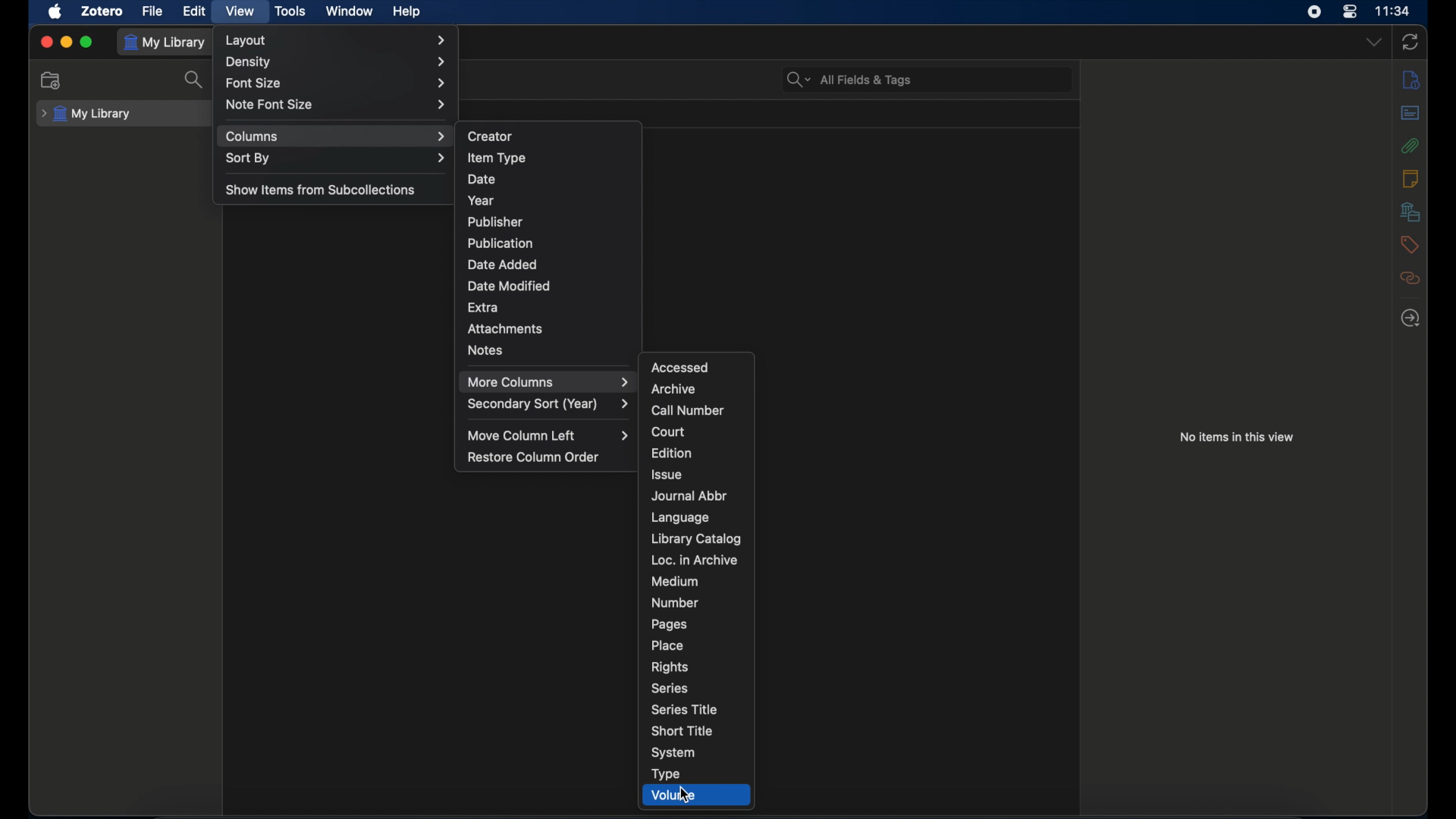 The width and height of the screenshot is (1456, 819). Describe the element at coordinates (673, 581) in the screenshot. I see `medium` at that location.